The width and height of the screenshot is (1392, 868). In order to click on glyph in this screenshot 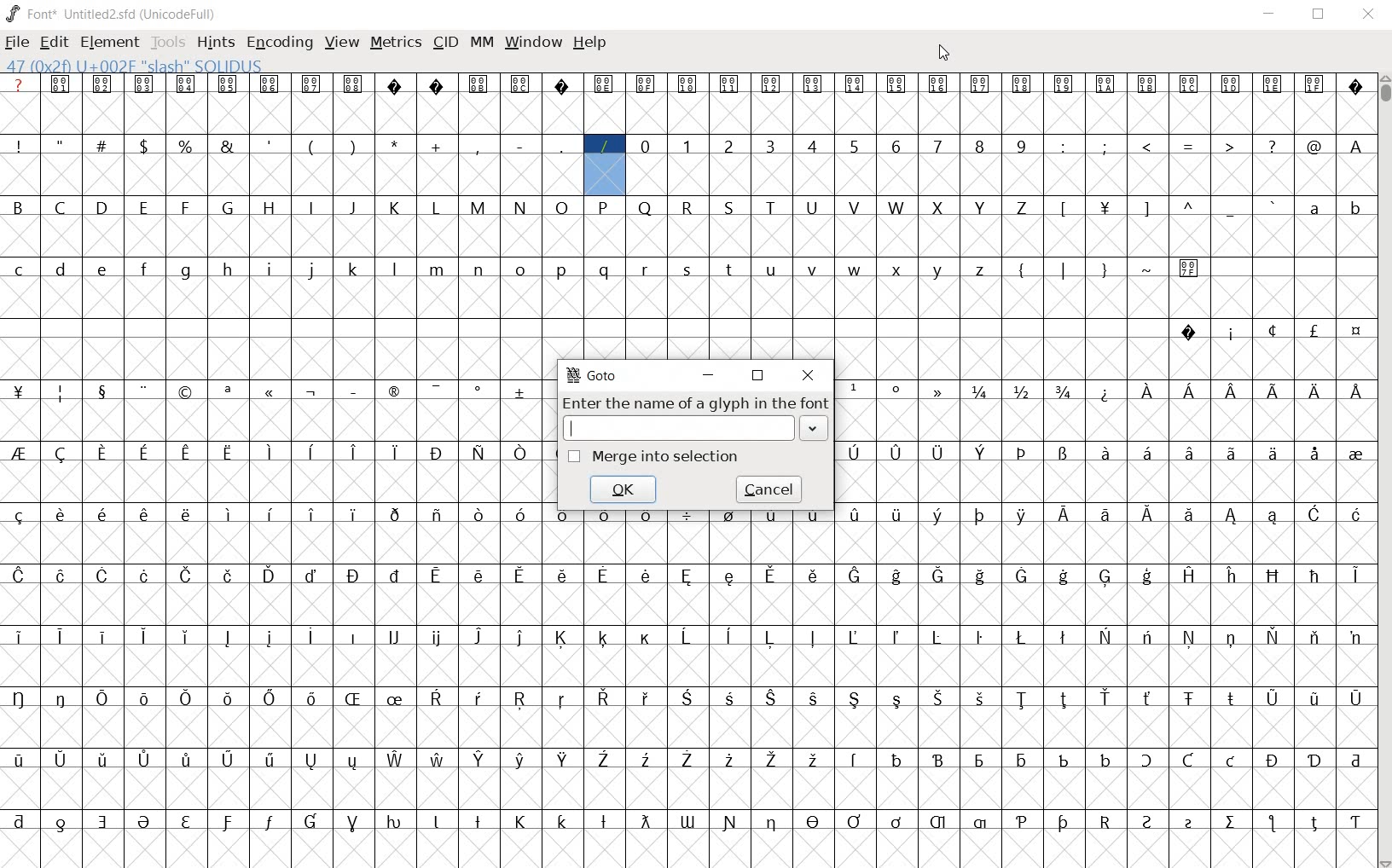, I will do `click(396, 699)`.